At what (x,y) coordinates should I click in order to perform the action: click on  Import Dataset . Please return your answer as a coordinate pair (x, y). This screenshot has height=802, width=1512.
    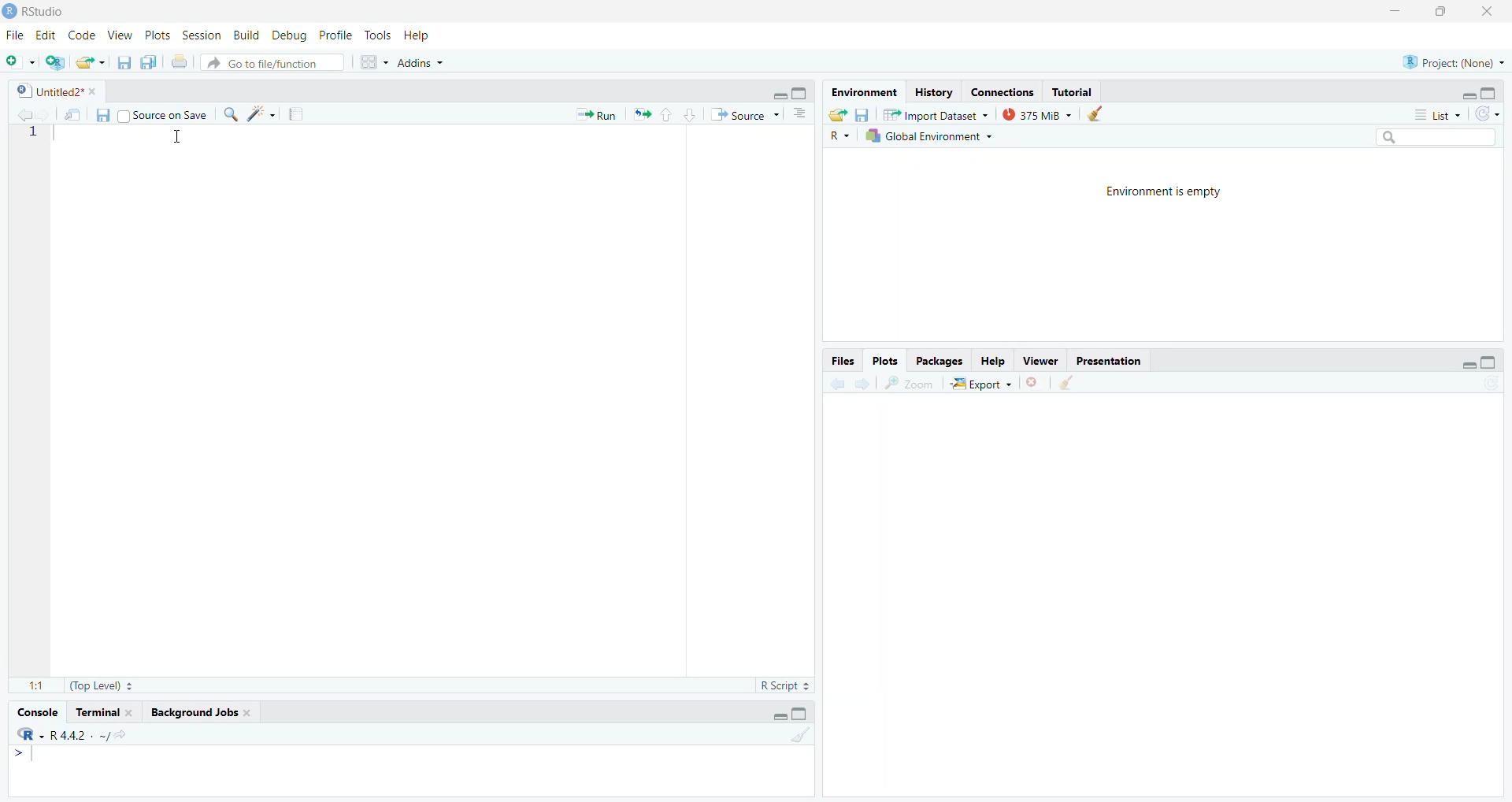
    Looking at the image, I should click on (936, 113).